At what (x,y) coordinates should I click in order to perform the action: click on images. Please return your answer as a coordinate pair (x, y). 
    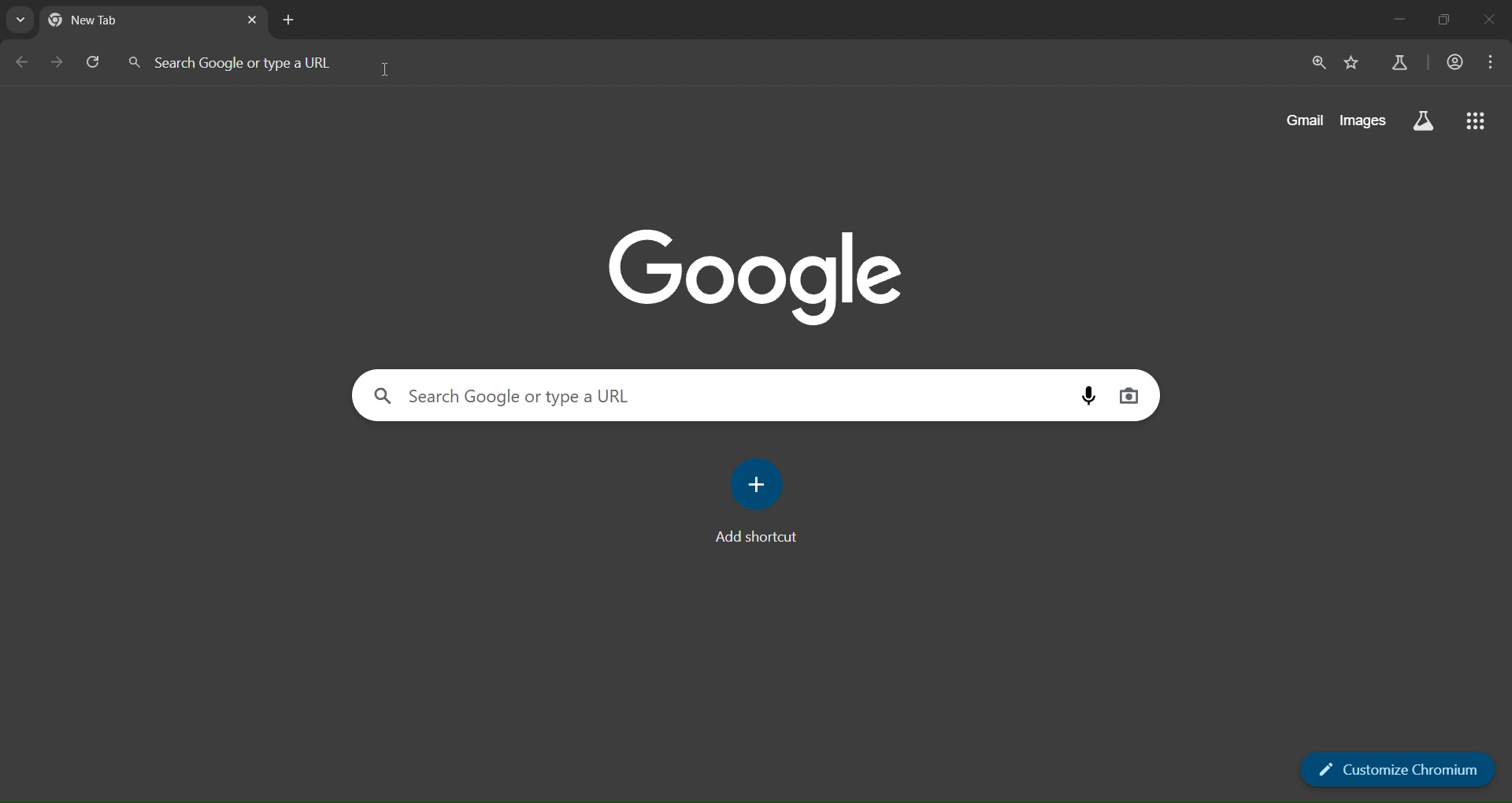
    Looking at the image, I should click on (1362, 120).